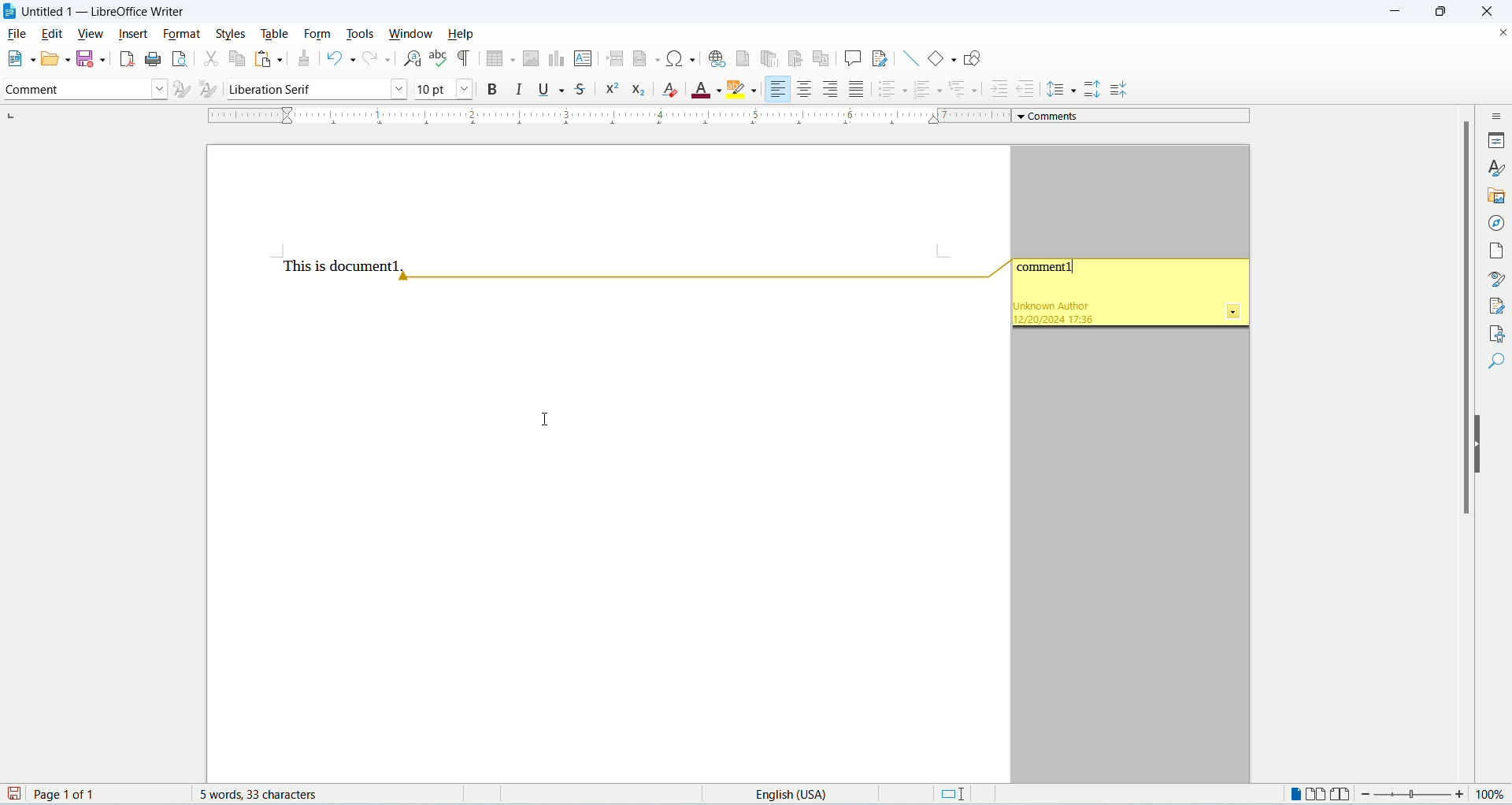 This screenshot has height=805, width=1512. What do you see at coordinates (582, 88) in the screenshot?
I see `strikethrough` at bounding box center [582, 88].